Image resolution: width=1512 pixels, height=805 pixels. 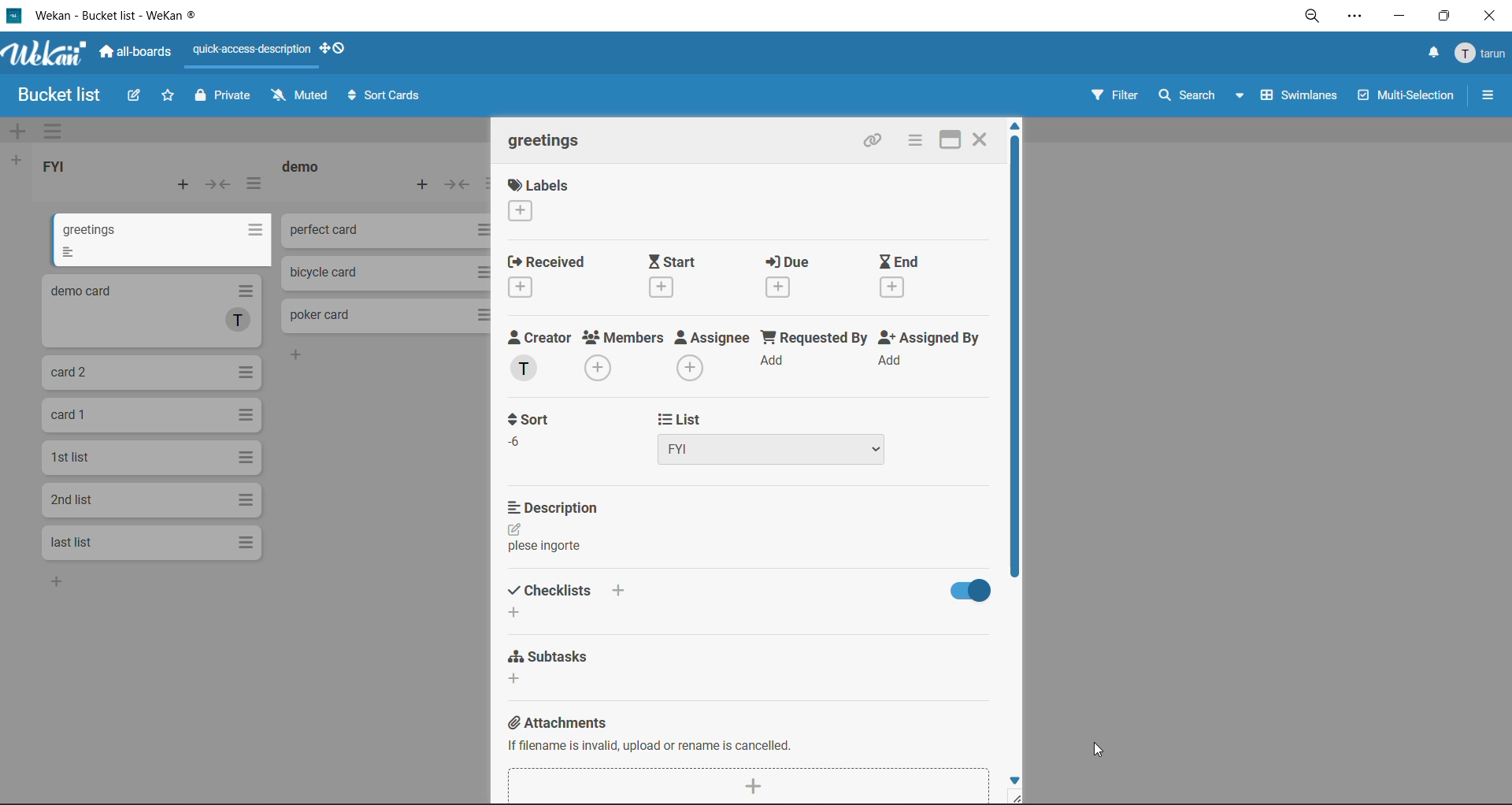 I want to click on requested by, so click(x=813, y=354).